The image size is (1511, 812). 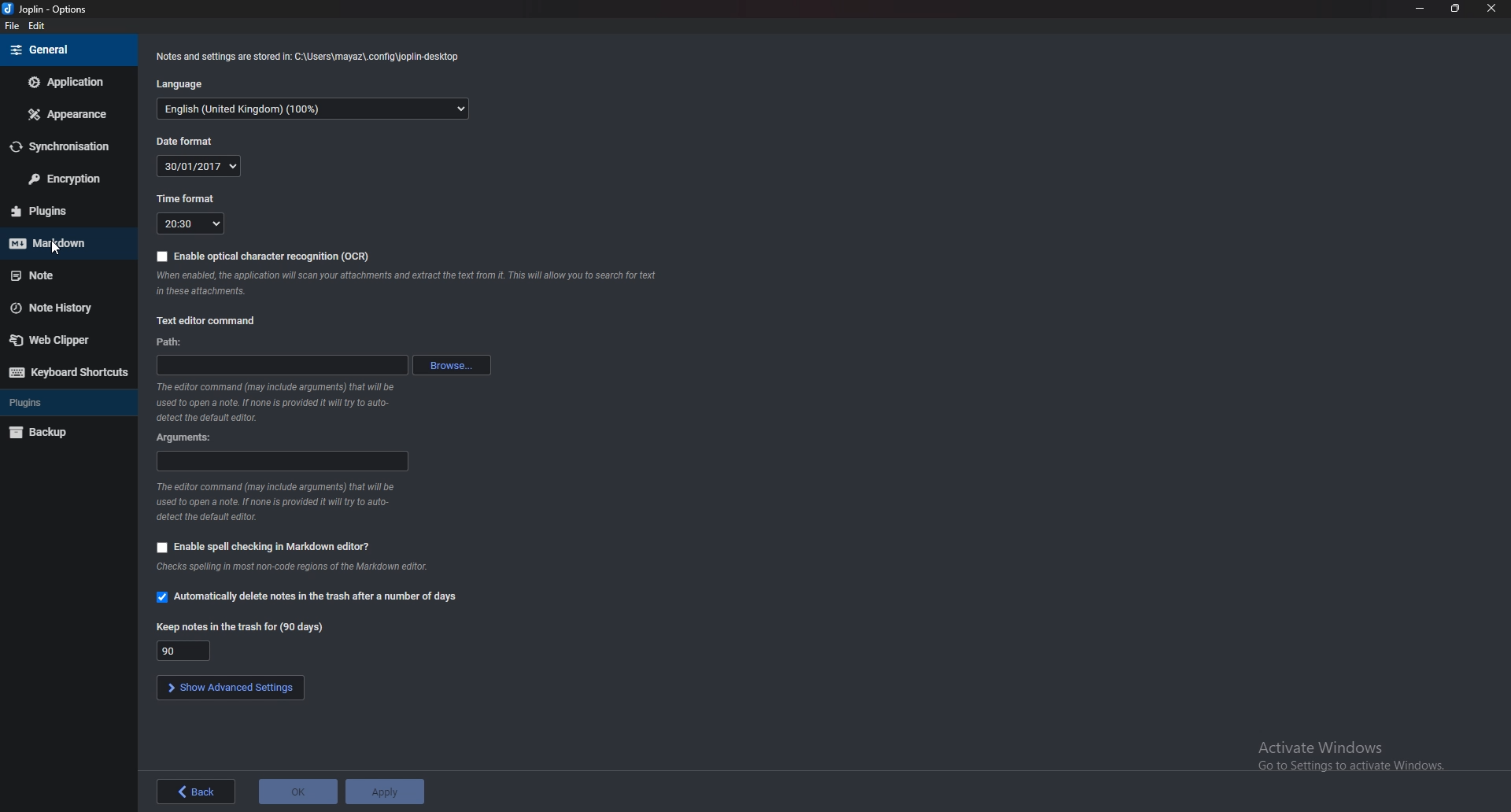 I want to click on browse, so click(x=450, y=364).